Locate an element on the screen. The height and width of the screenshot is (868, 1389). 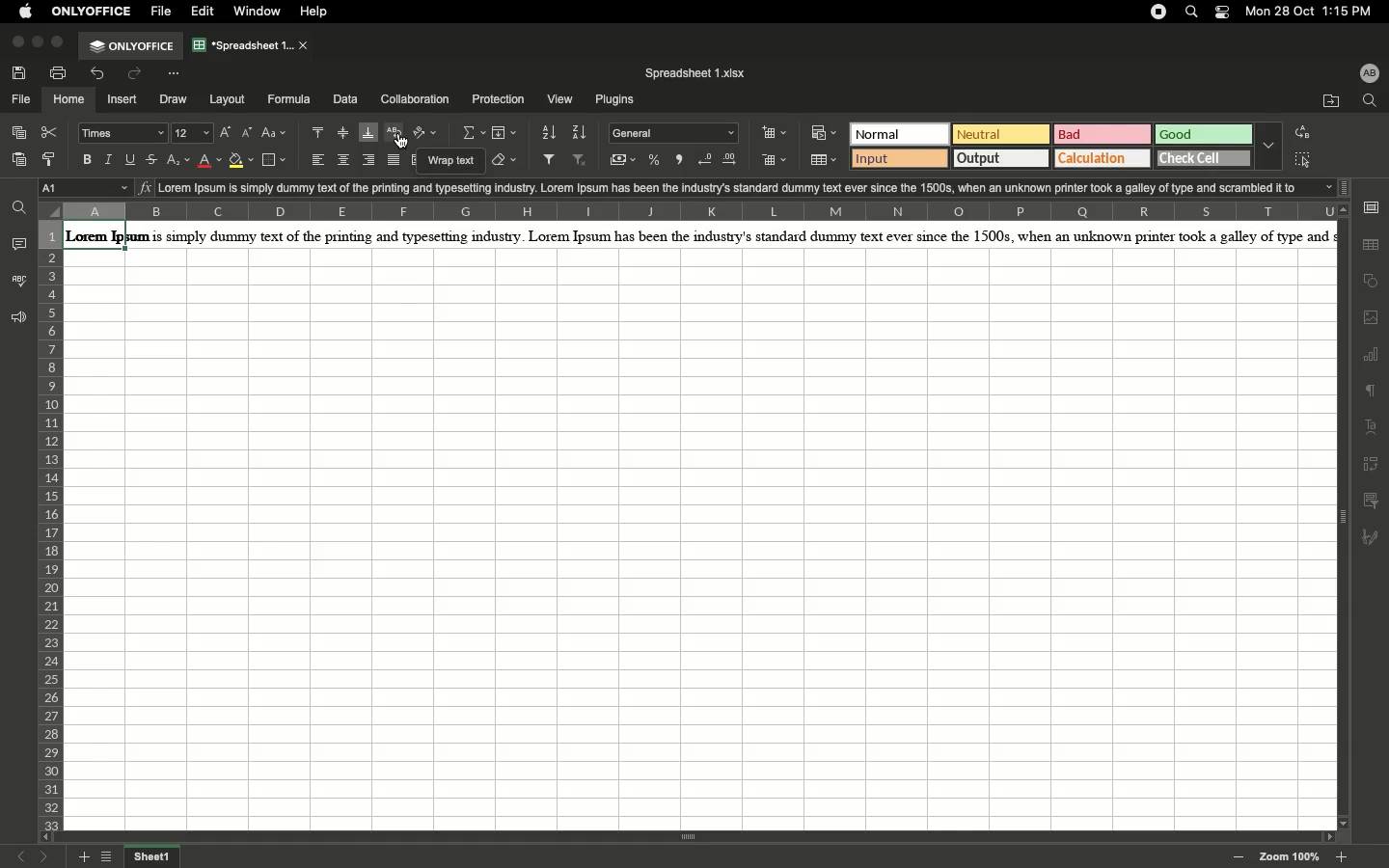
table settings is located at coordinates (1371, 244).